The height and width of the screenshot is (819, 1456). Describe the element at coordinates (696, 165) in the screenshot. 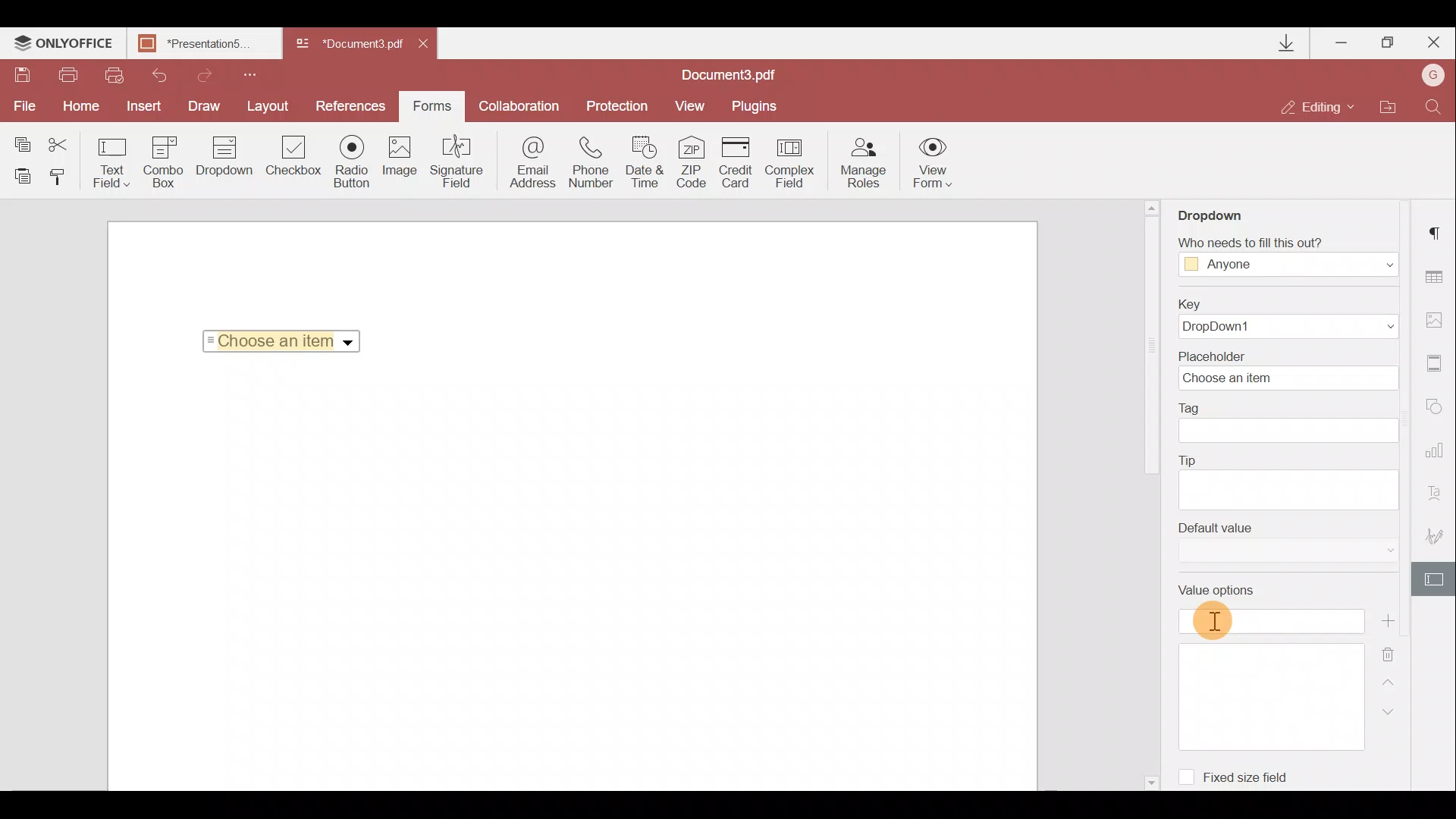

I see `ZIP code` at that location.